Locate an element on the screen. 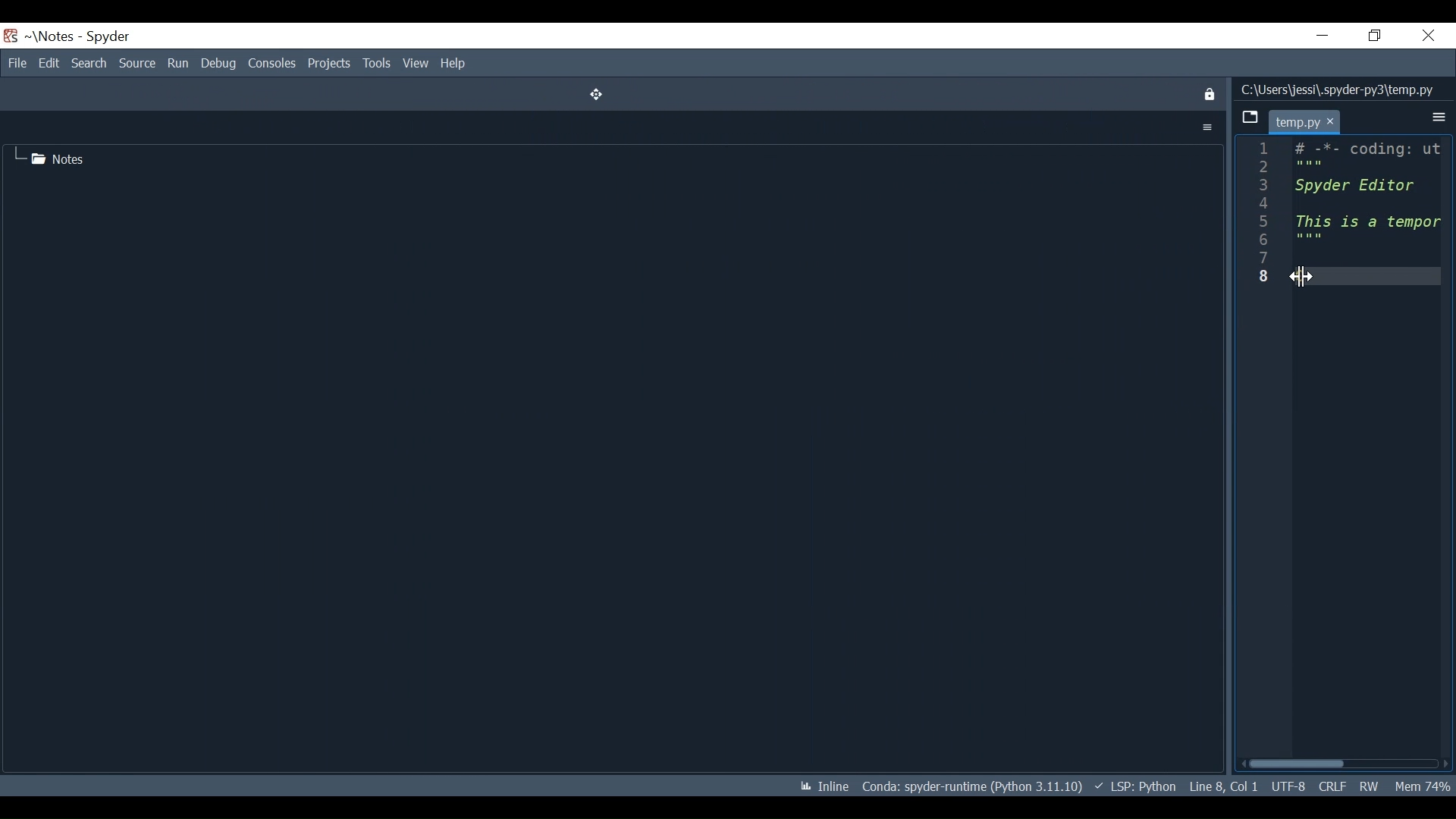 The height and width of the screenshot is (819, 1456). Conda: spyder-runtime (Python 3.11.10) is located at coordinates (972, 784).